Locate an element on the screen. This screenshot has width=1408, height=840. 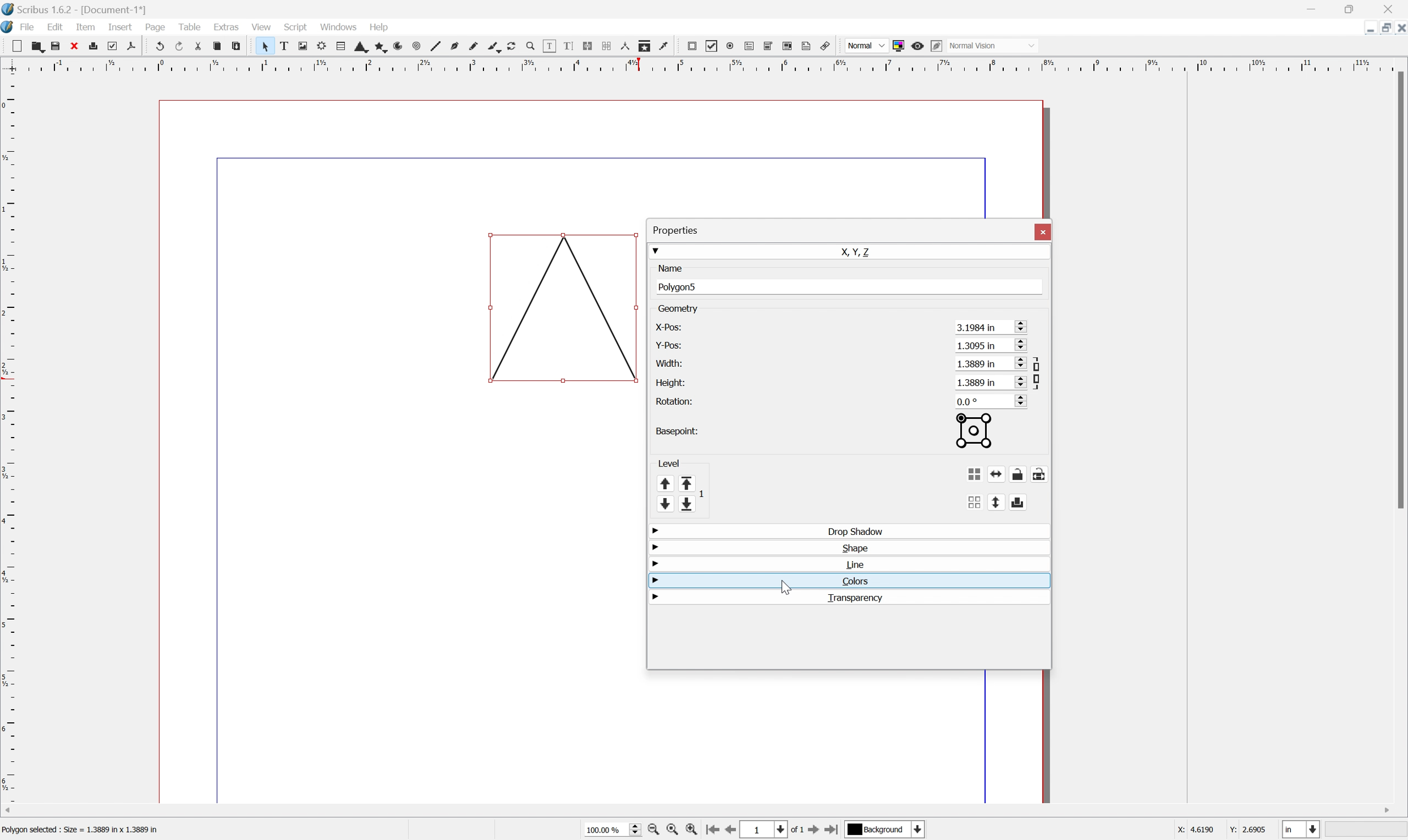
Line is located at coordinates (434, 46).